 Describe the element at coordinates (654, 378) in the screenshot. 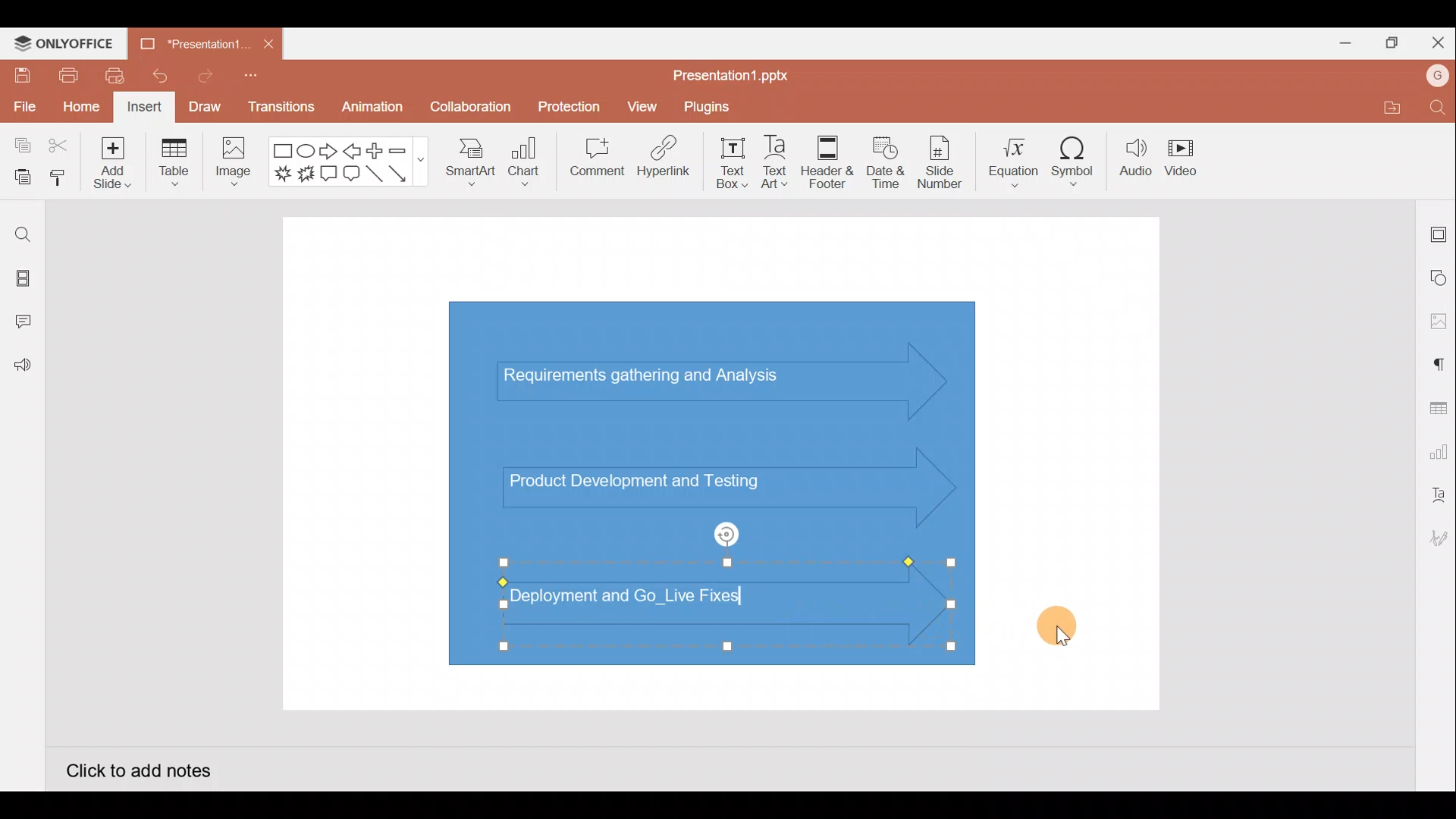

I see `Text (Requirements gathering and Analysis) in arrow shape` at that location.